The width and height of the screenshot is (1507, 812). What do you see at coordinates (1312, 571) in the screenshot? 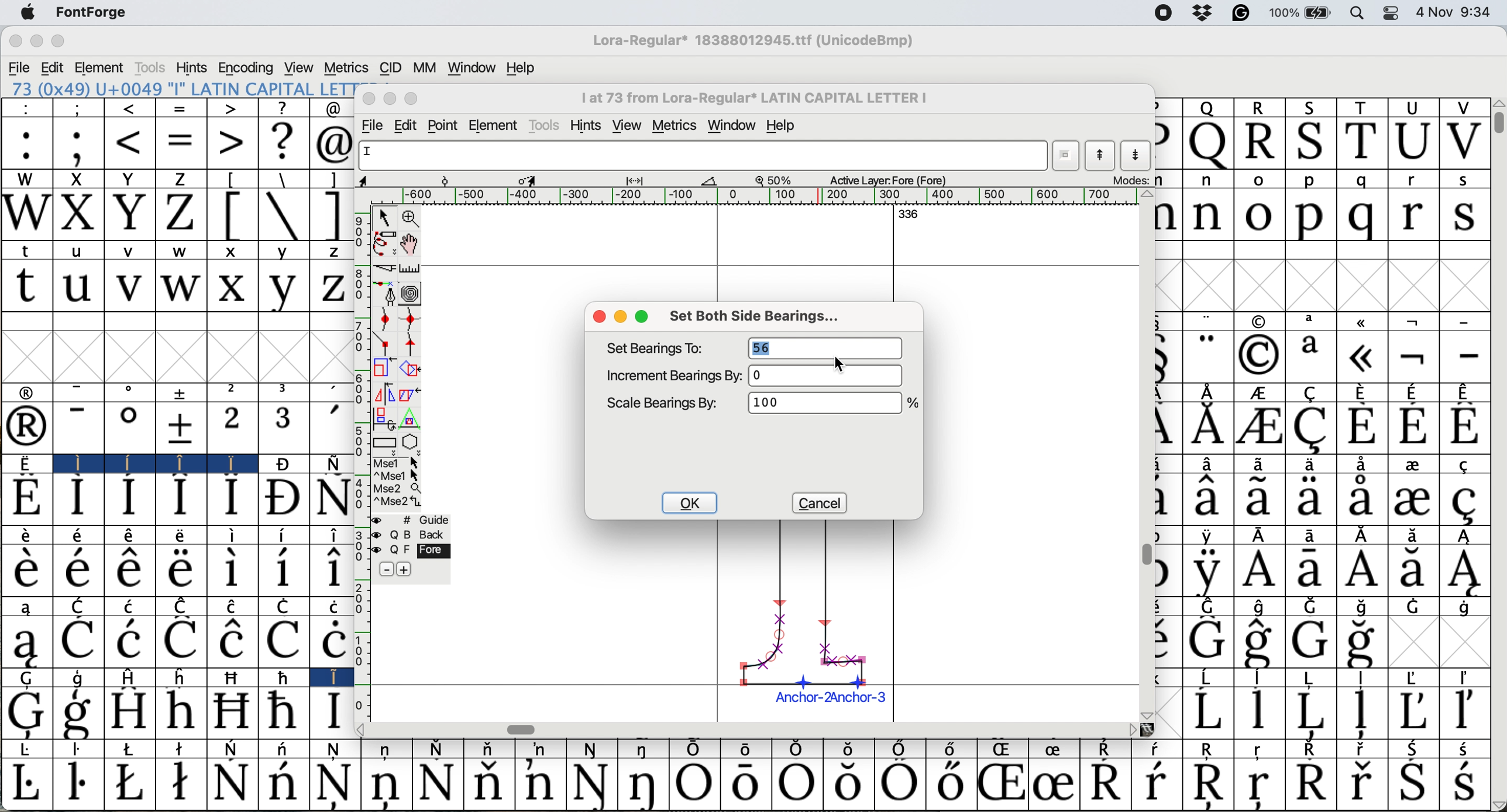
I see `Symbol` at bounding box center [1312, 571].